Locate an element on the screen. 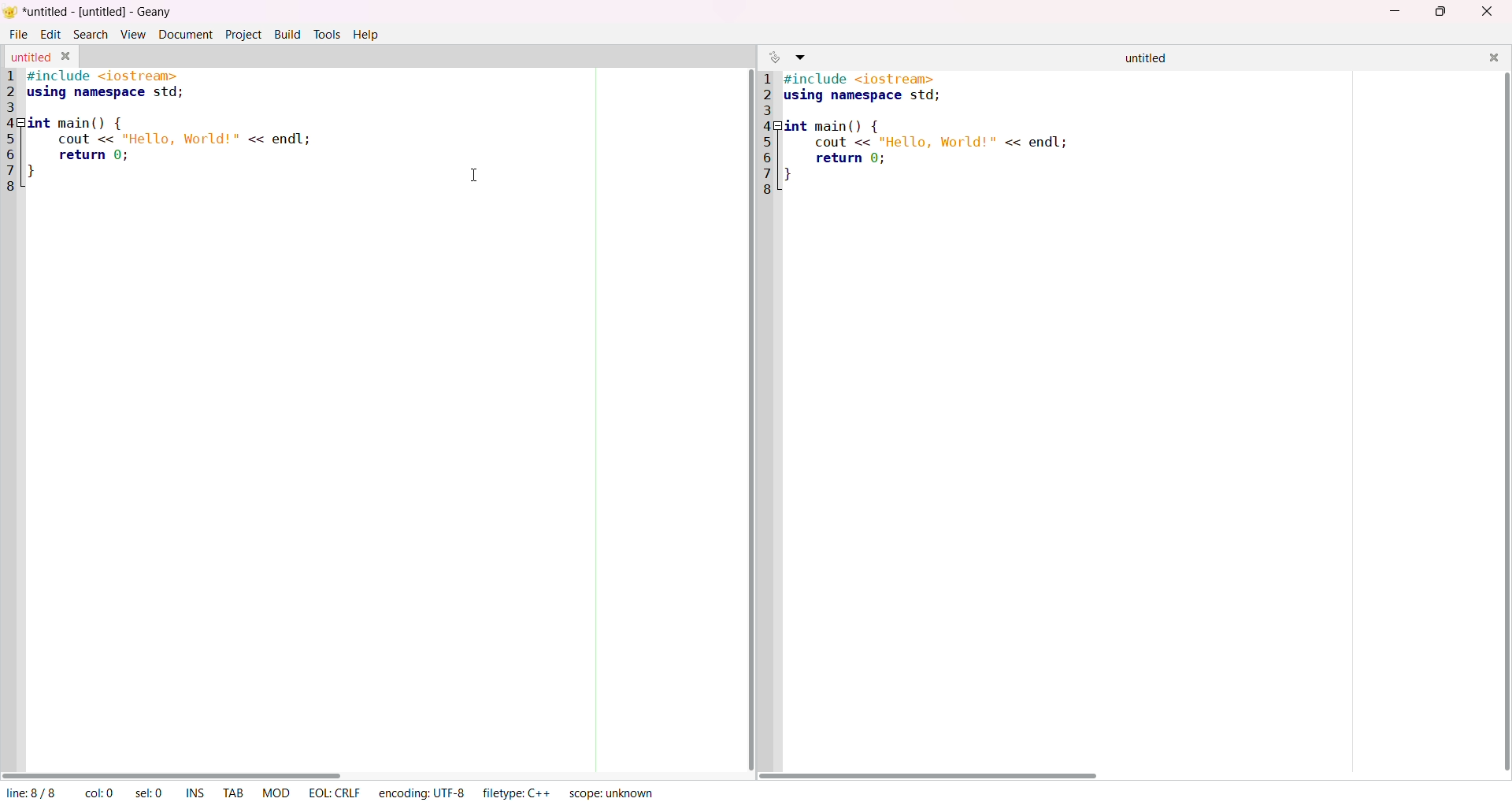 This screenshot has width=1512, height=802. scope: unknown is located at coordinates (610, 792).